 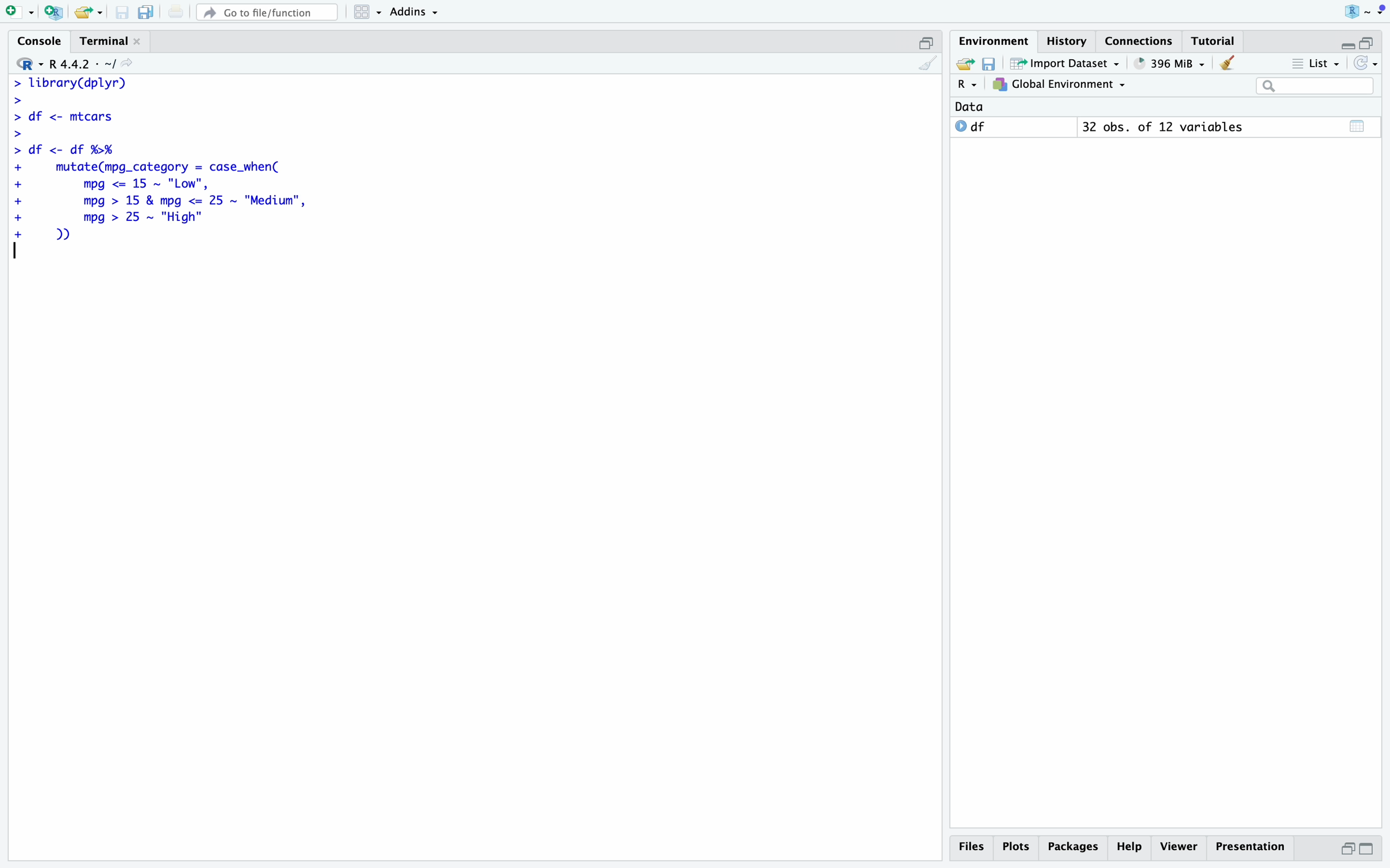 What do you see at coordinates (128, 63) in the screenshot?
I see `share icon` at bounding box center [128, 63].